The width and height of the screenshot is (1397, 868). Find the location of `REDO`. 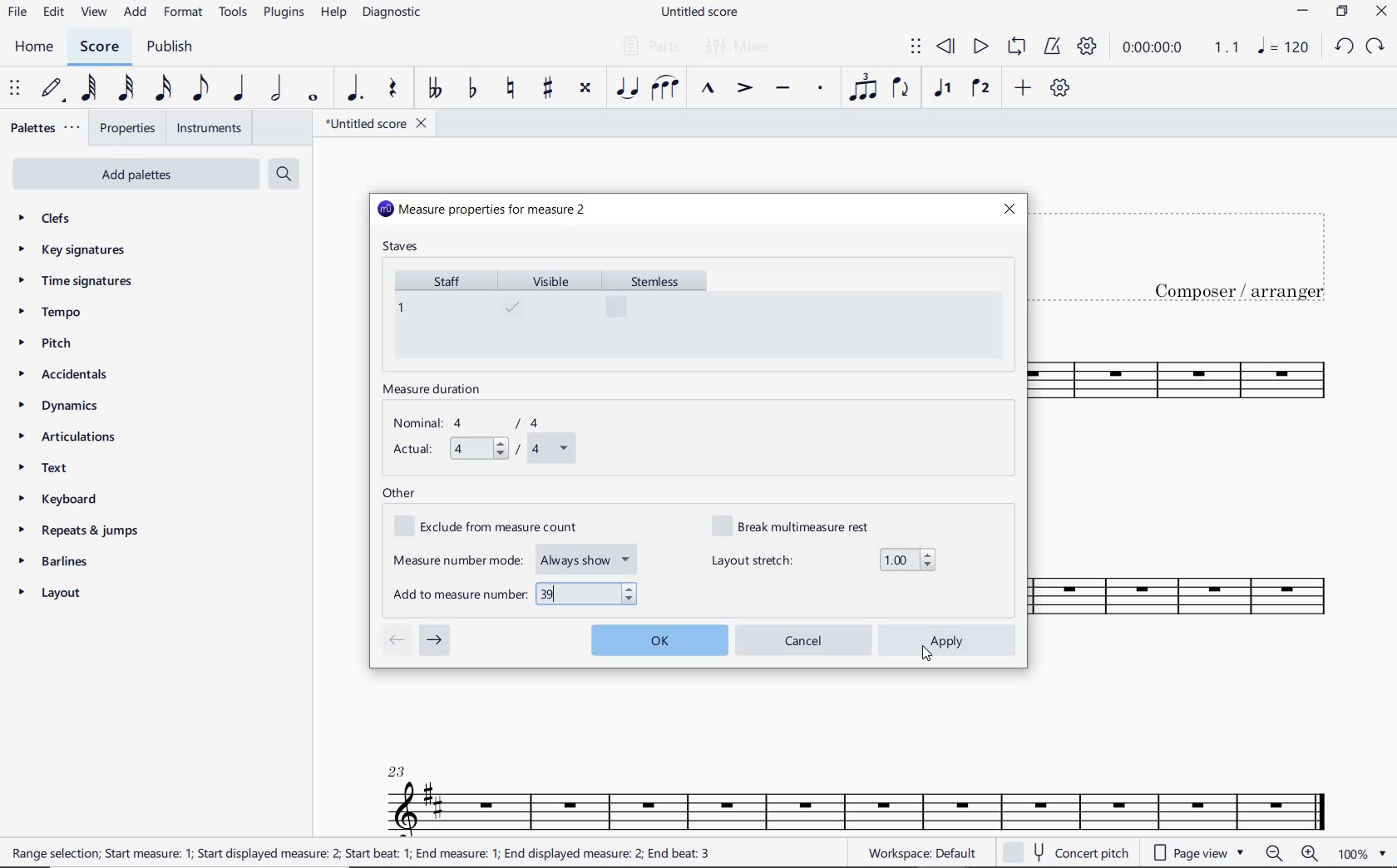

REDO is located at coordinates (1376, 47).